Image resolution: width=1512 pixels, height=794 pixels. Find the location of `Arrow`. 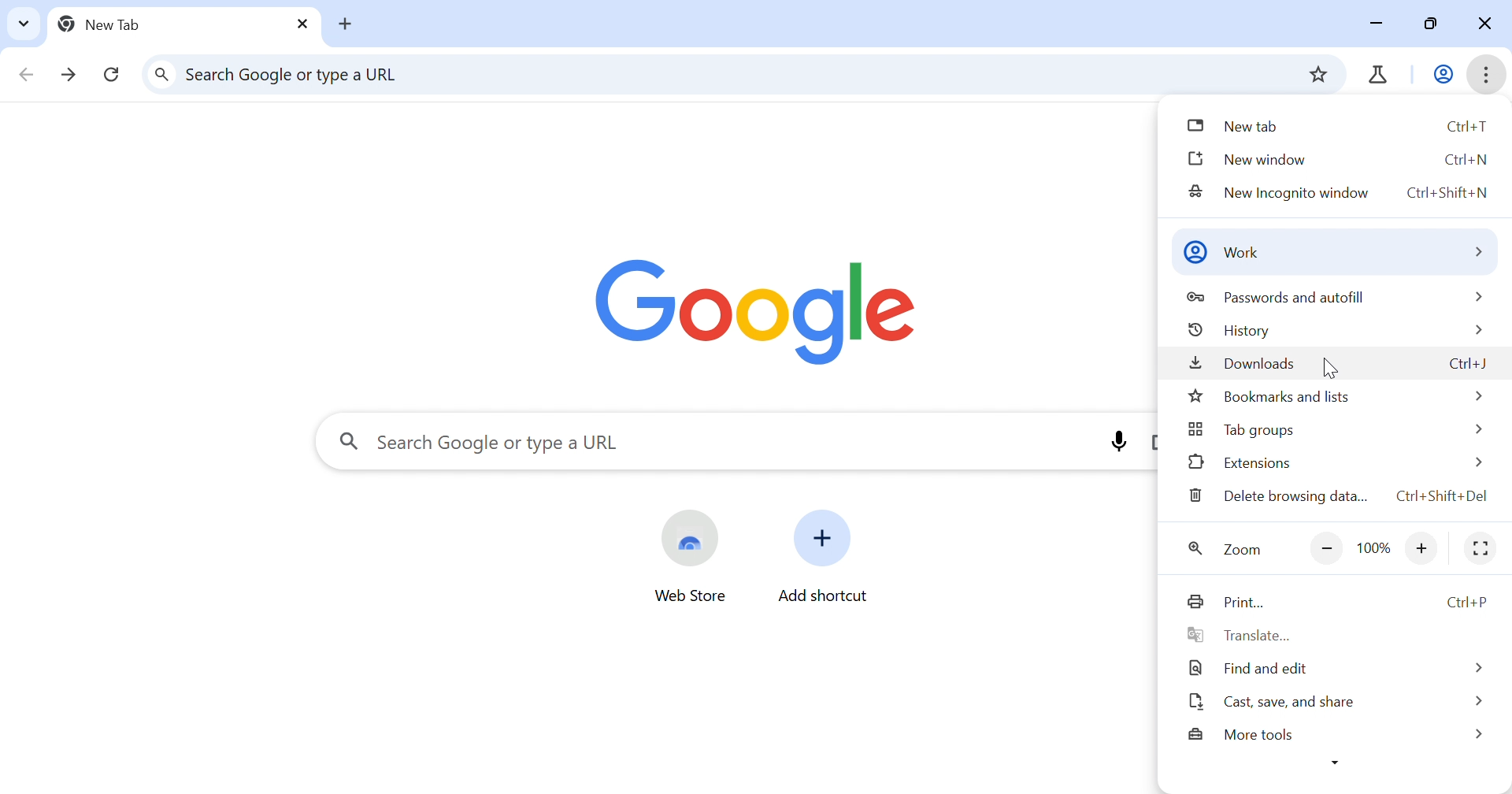

Arrow is located at coordinates (1477, 295).